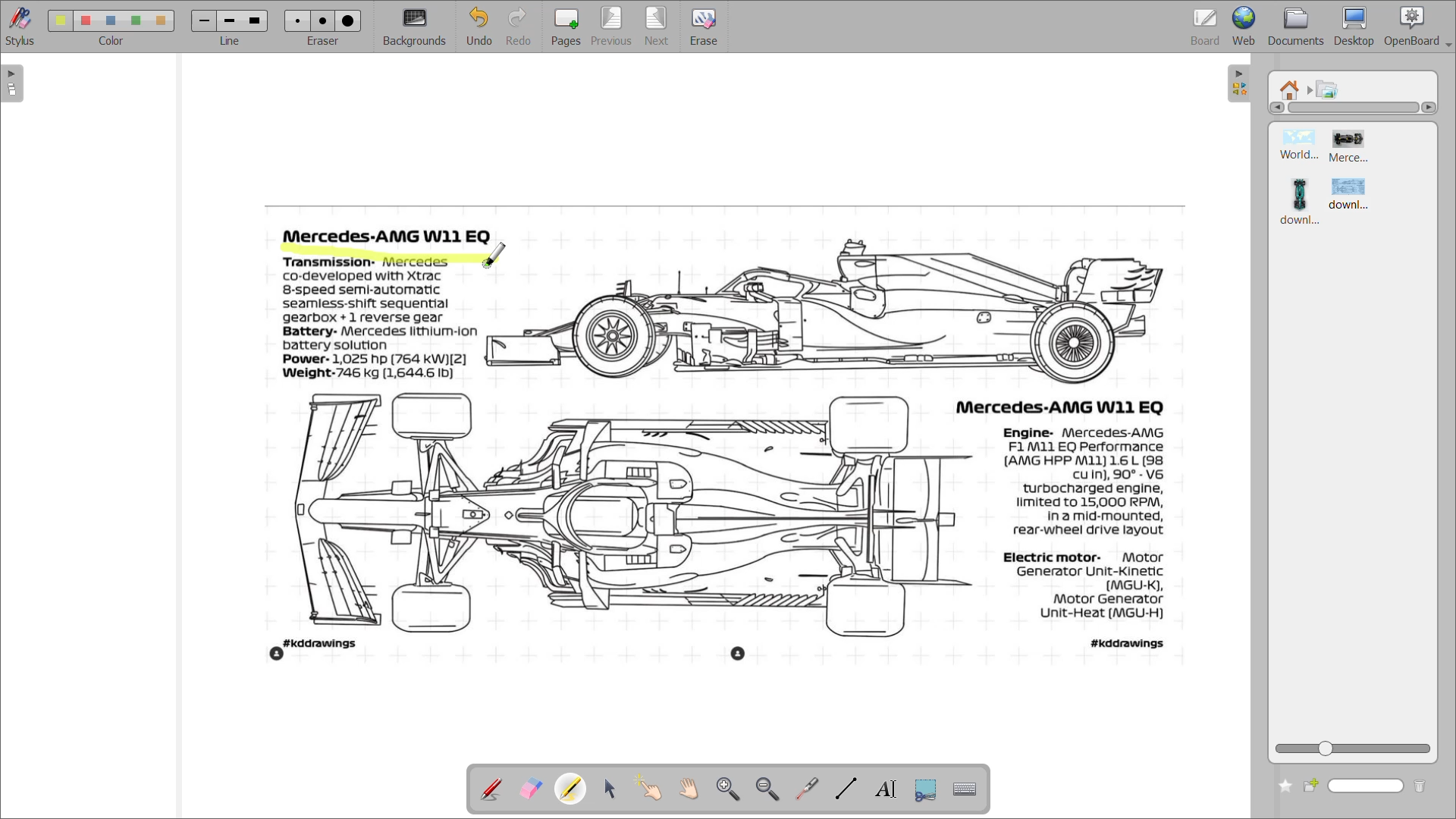  What do you see at coordinates (231, 22) in the screenshot?
I see `line 2` at bounding box center [231, 22].